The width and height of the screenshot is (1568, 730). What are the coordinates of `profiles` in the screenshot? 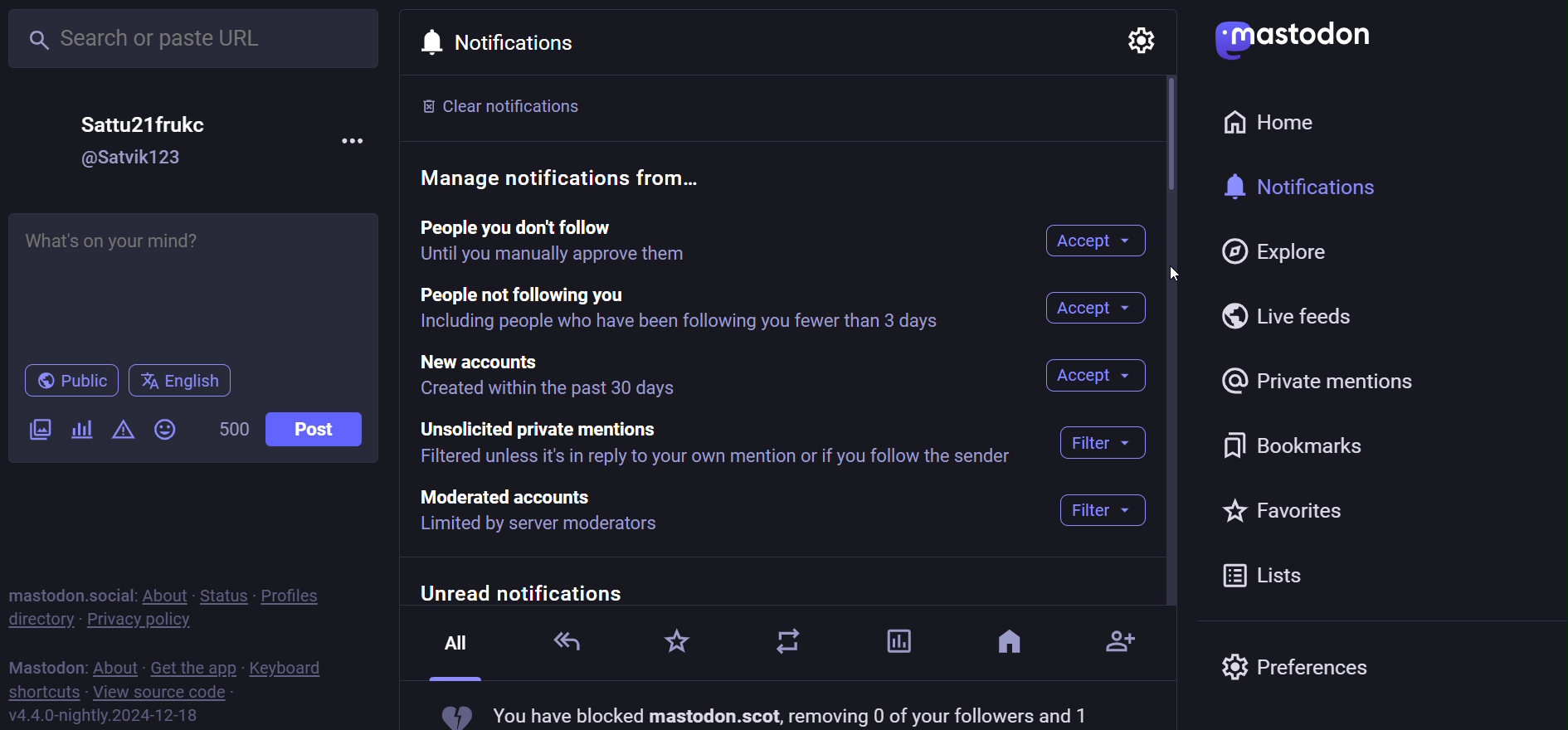 It's located at (302, 592).